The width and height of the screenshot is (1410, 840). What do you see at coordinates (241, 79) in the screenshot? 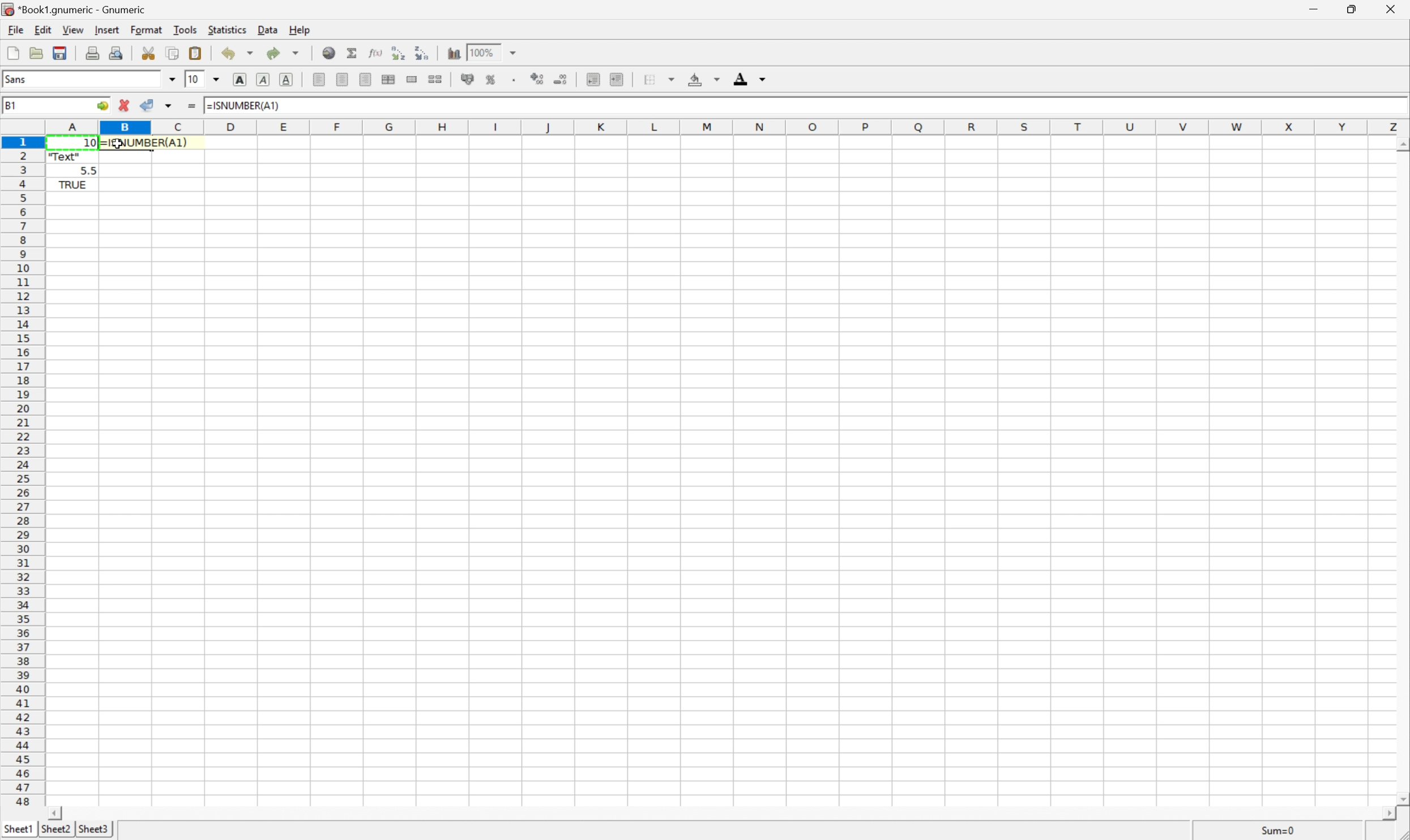
I see `Bold` at bounding box center [241, 79].